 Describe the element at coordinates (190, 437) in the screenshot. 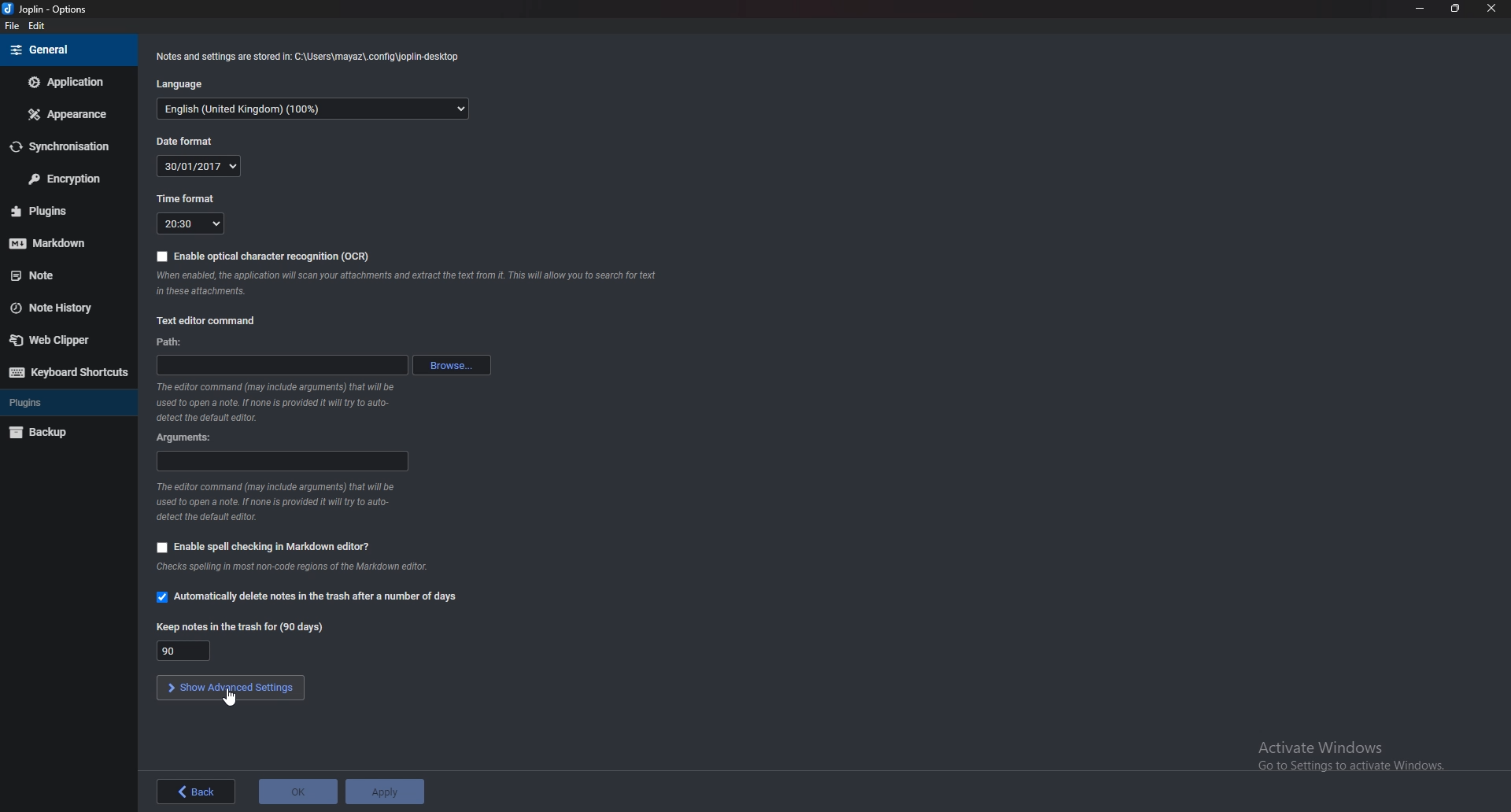

I see `Arguments` at that location.